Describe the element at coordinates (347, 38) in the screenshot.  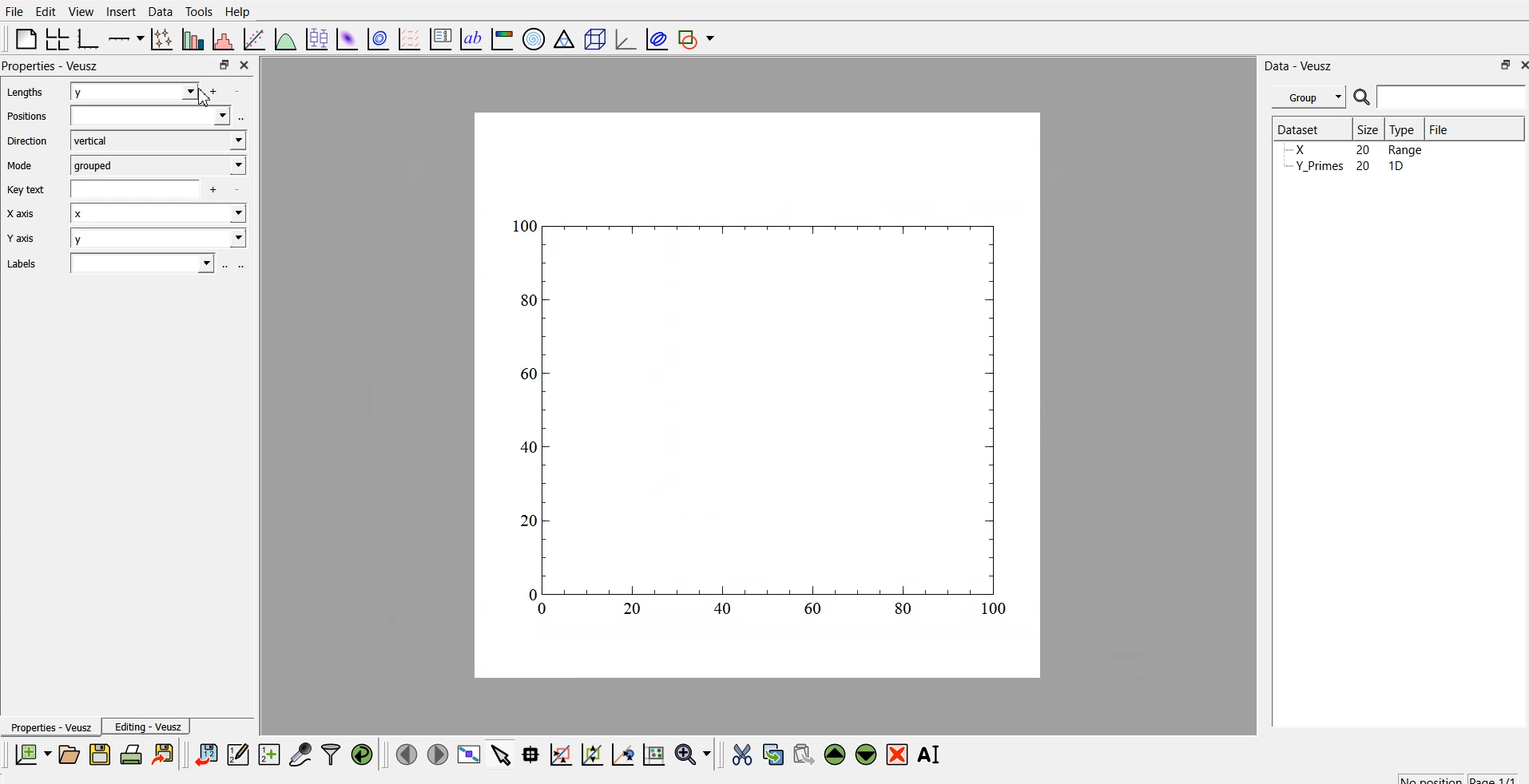
I see `plot dataset` at that location.